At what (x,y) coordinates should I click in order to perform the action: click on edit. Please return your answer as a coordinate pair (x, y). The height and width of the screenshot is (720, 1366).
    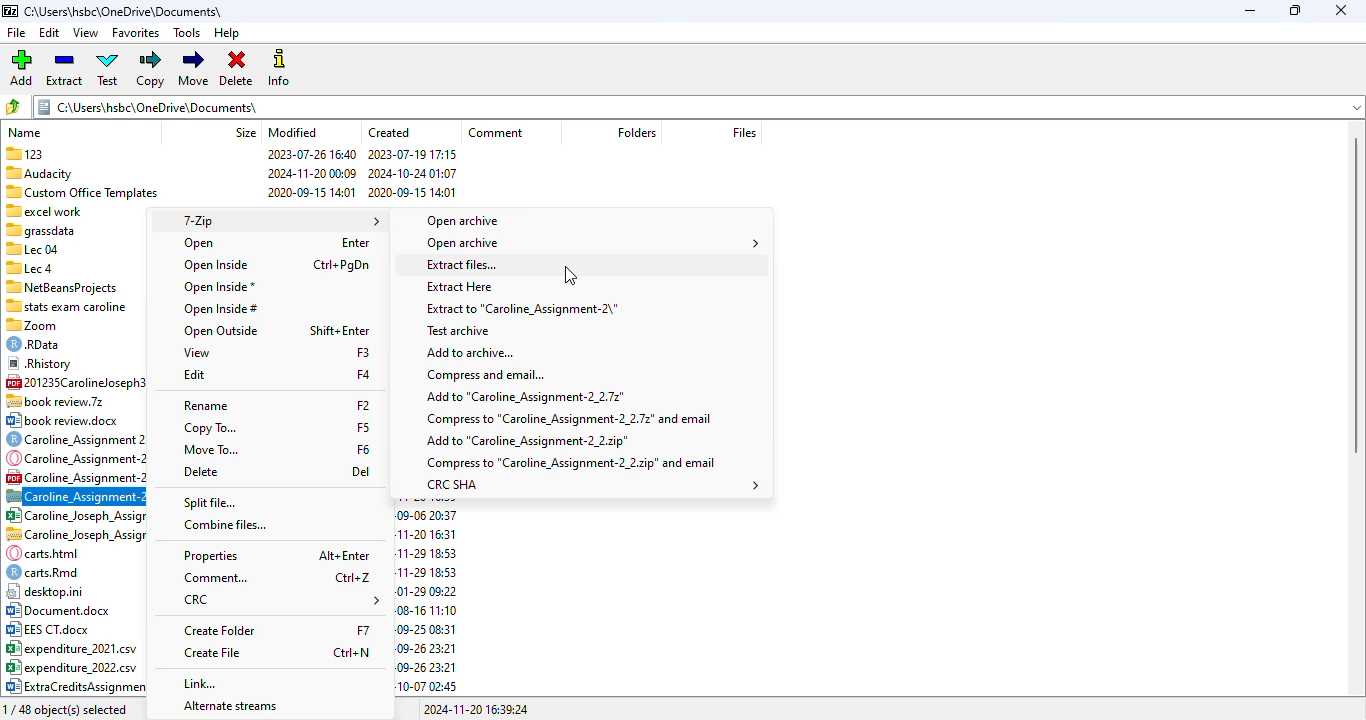
    Looking at the image, I should click on (50, 33).